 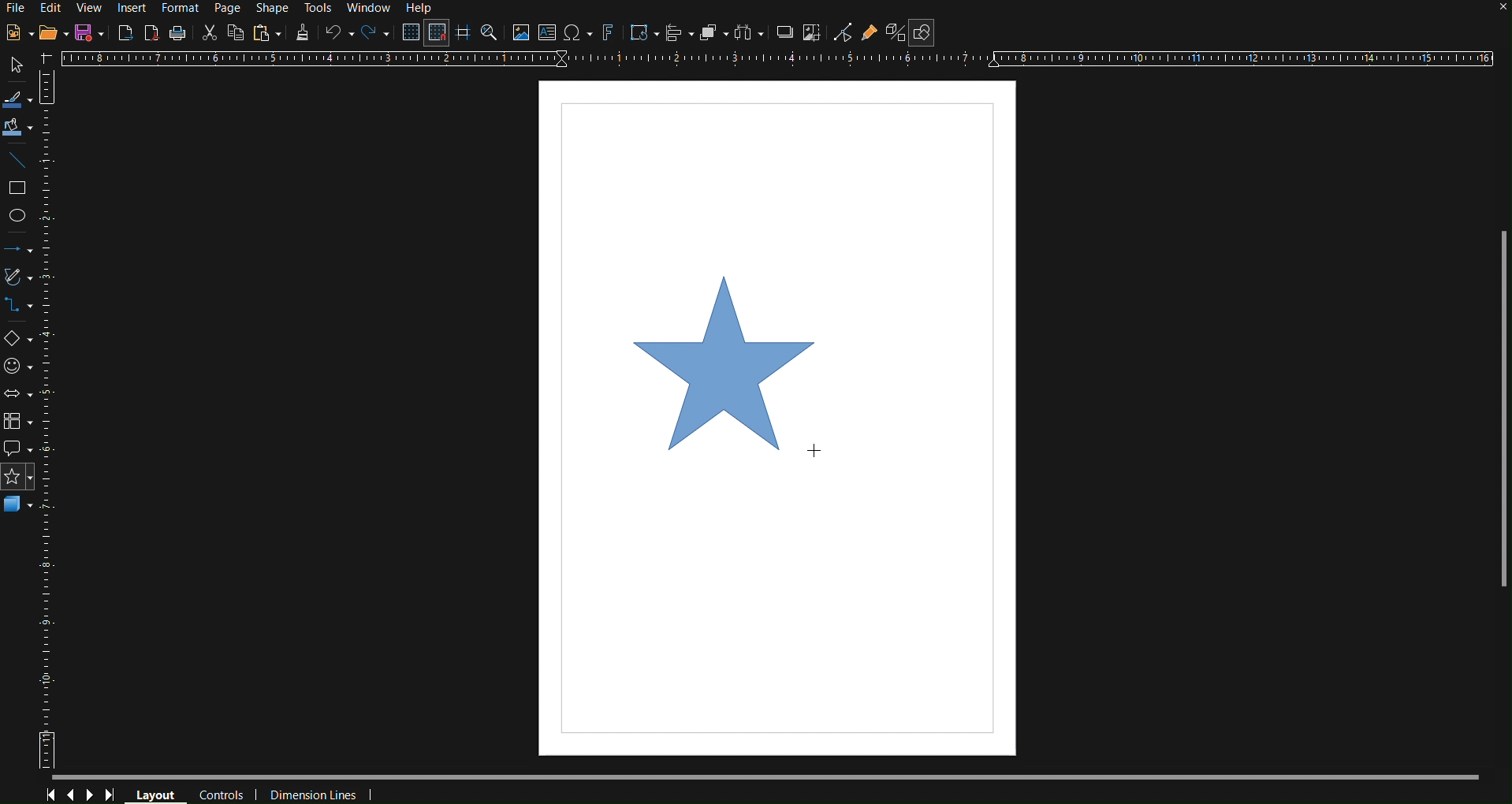 I want to click on Scrollbar, so click(x=766, y=776).